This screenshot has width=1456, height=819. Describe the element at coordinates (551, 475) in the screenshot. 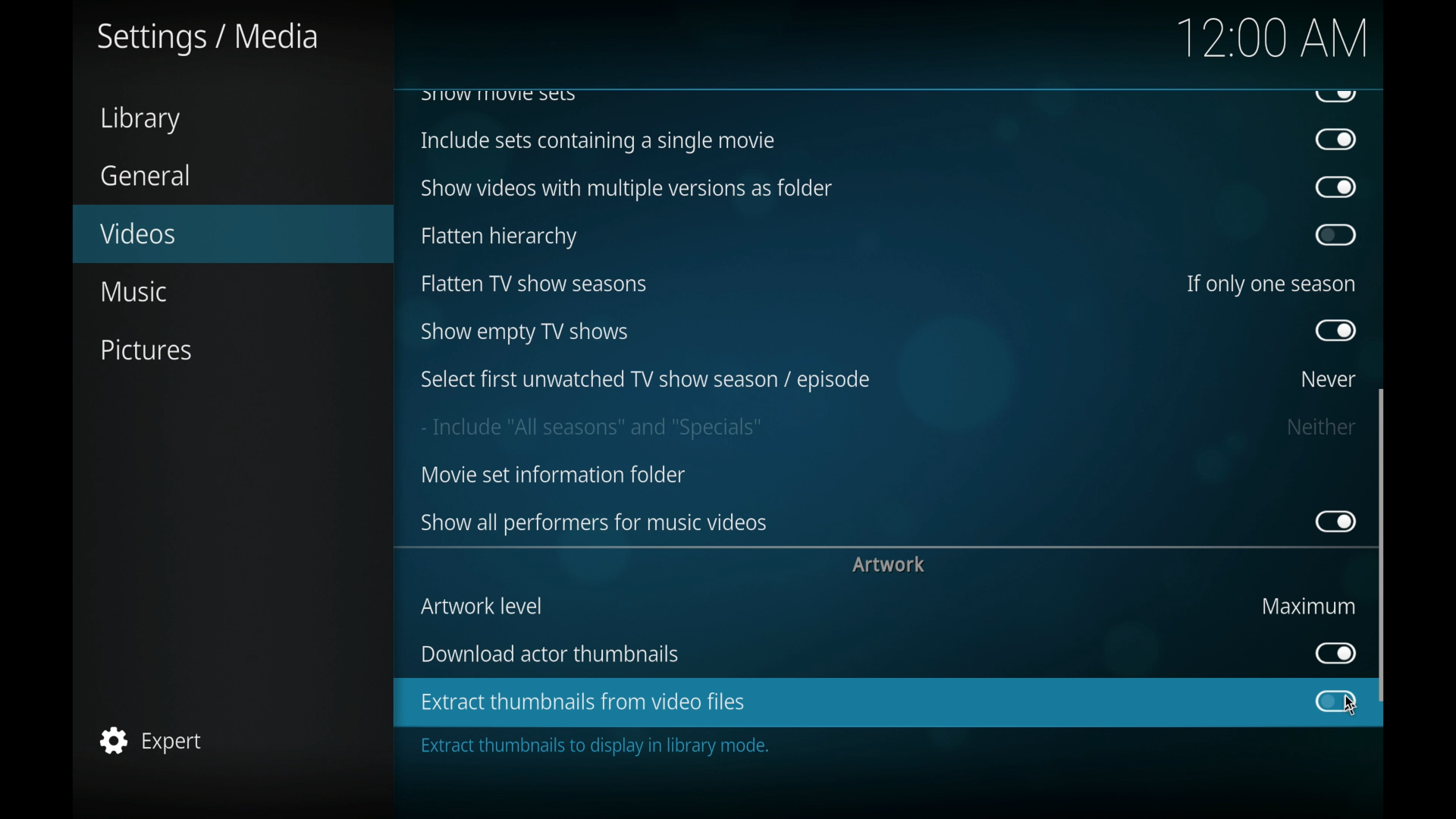

I see `movies information folder` at that location.